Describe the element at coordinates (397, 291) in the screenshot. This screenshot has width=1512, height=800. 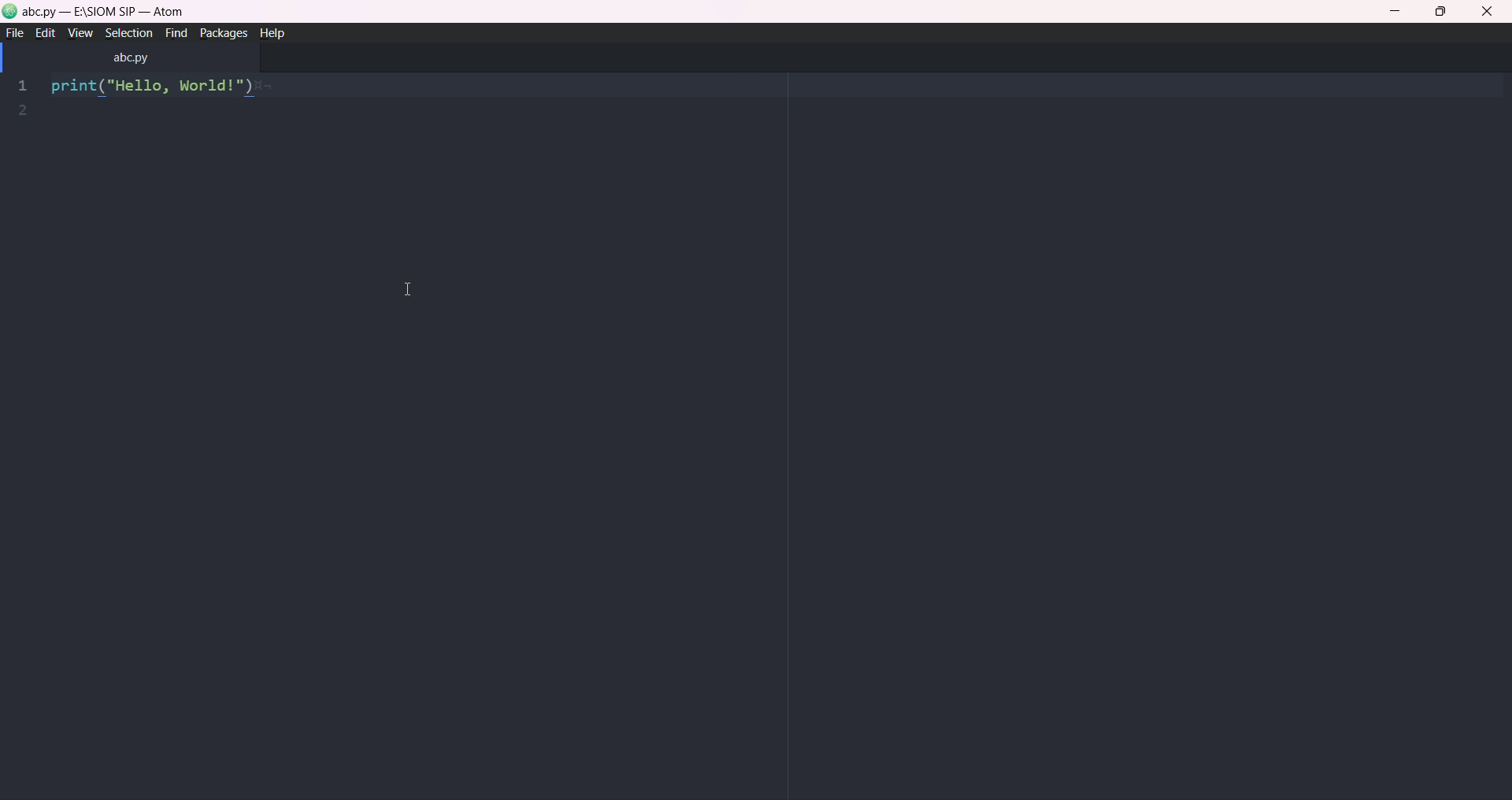
I see `cursor` at that location.